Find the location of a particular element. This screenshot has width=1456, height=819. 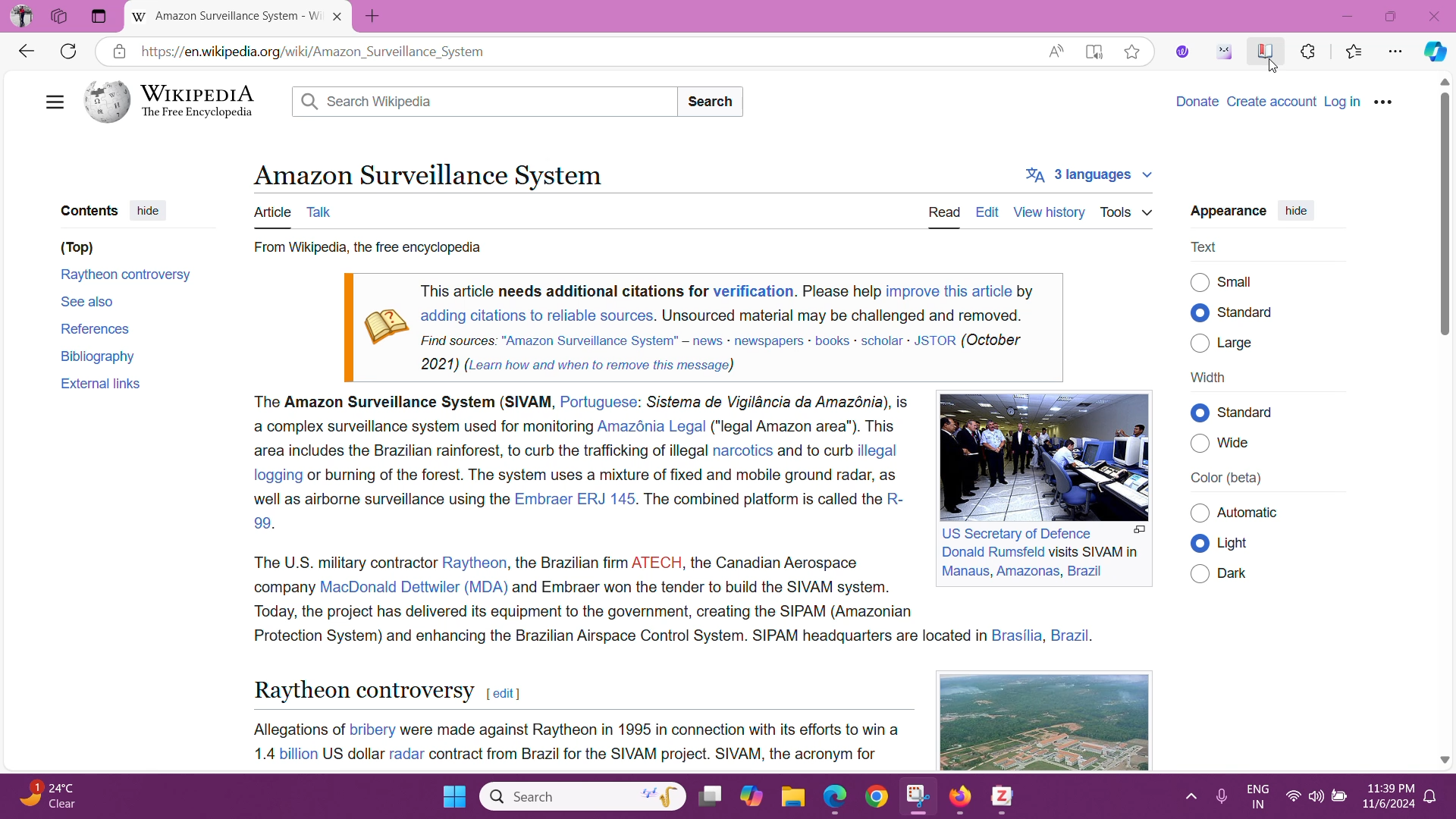

3 languages is located at coordinates (1087, 176).